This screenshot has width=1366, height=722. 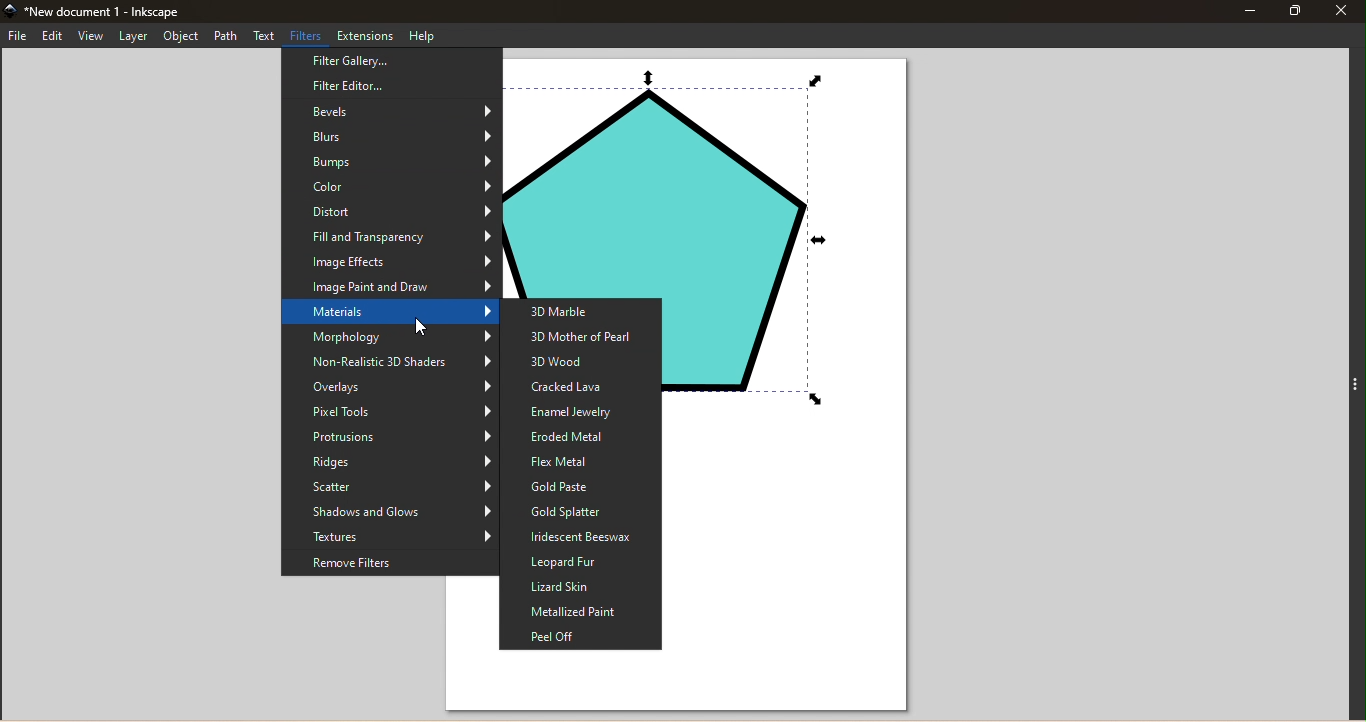 I want to click on Text, so click(x=265, y=35).